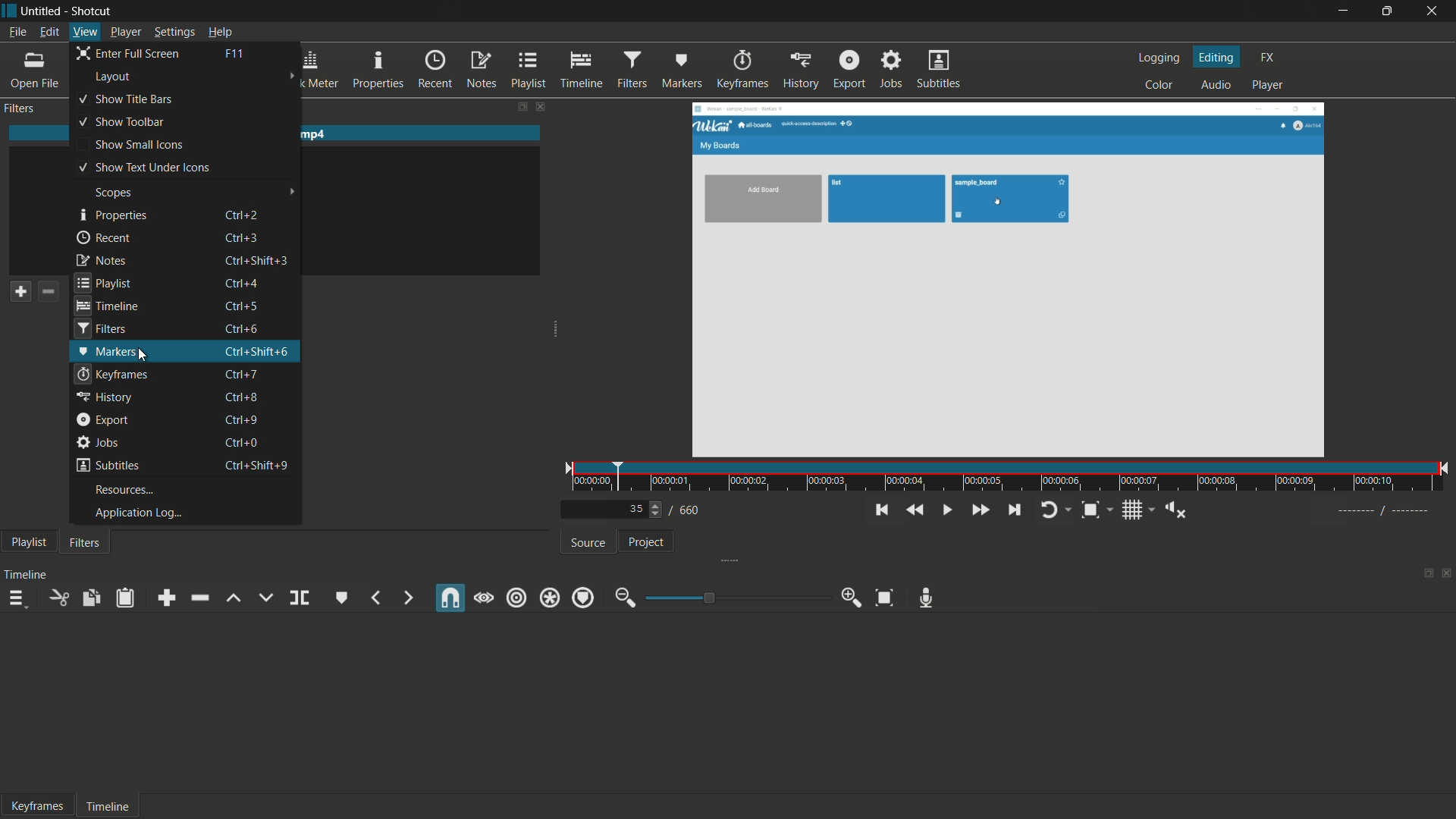 This screenshot has width=1456, height=819. I want to click on layout, so click(111, 77).